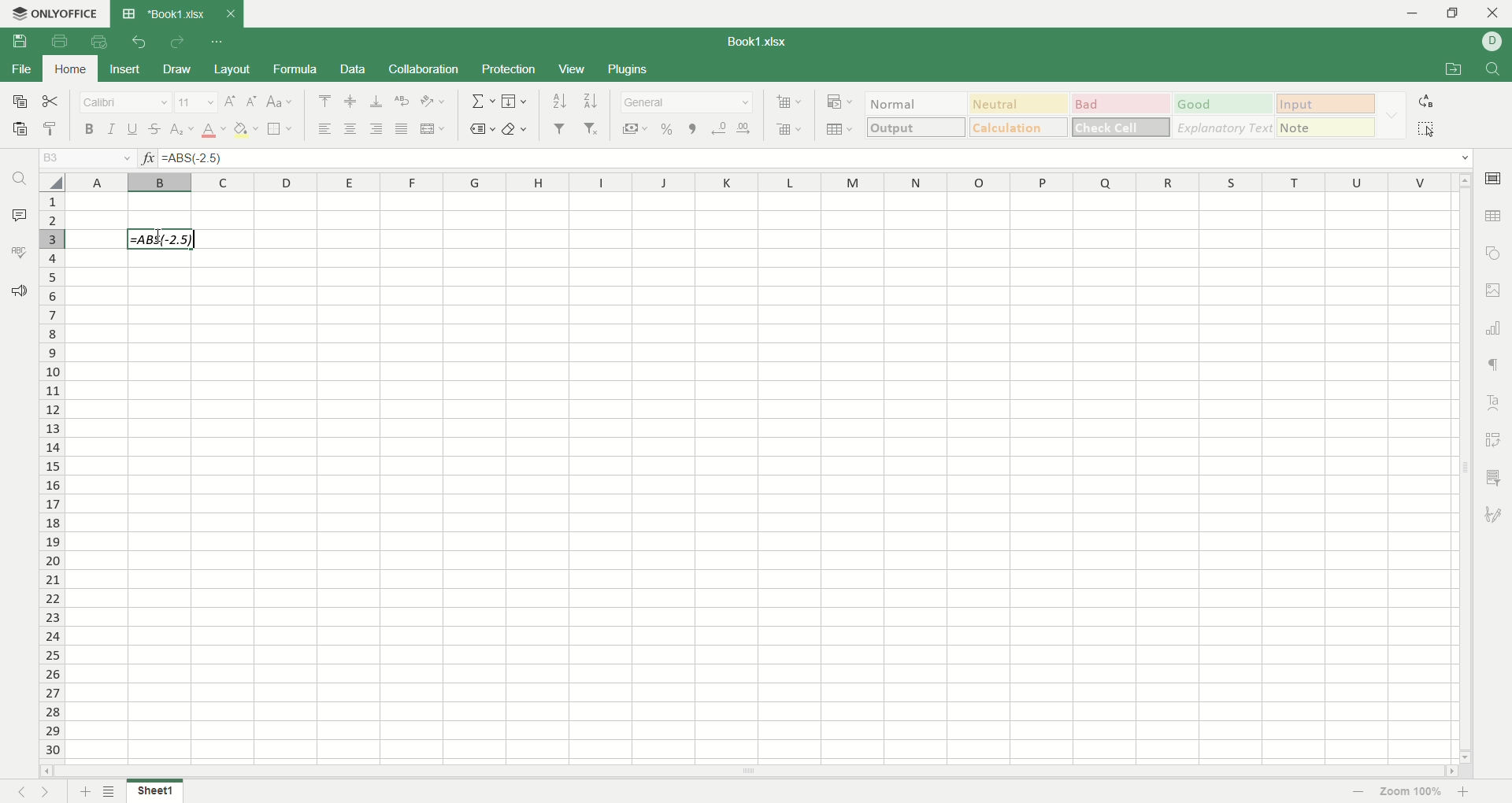  Describe the element at coordinates (92, 128) in the screenshot. I see `bold` at that location.